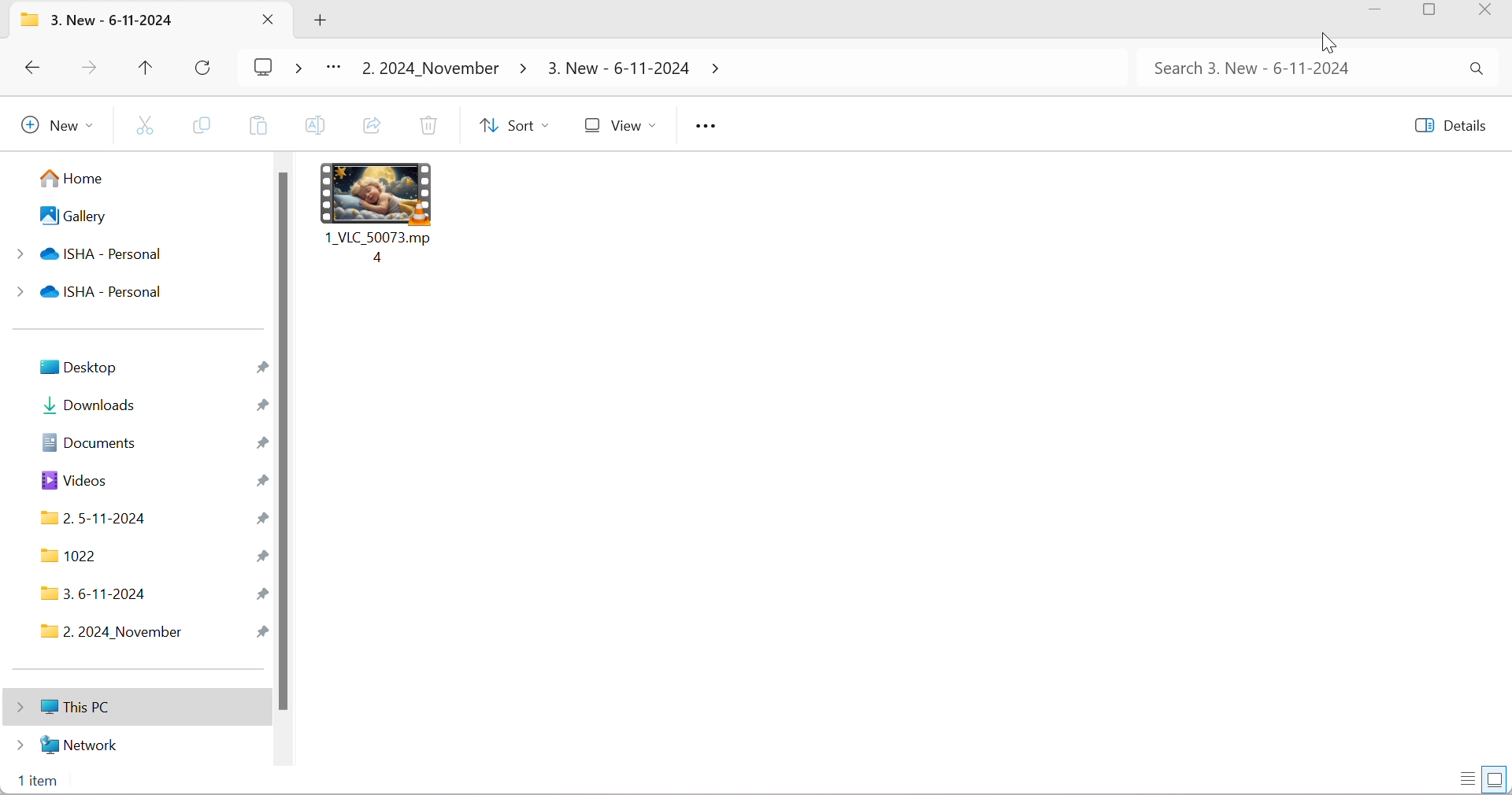 The image size is (1512, 795). What do you see at coordinates (206, 127) in the screenshot?
I see `Copy` at bounding box center [206, 127].